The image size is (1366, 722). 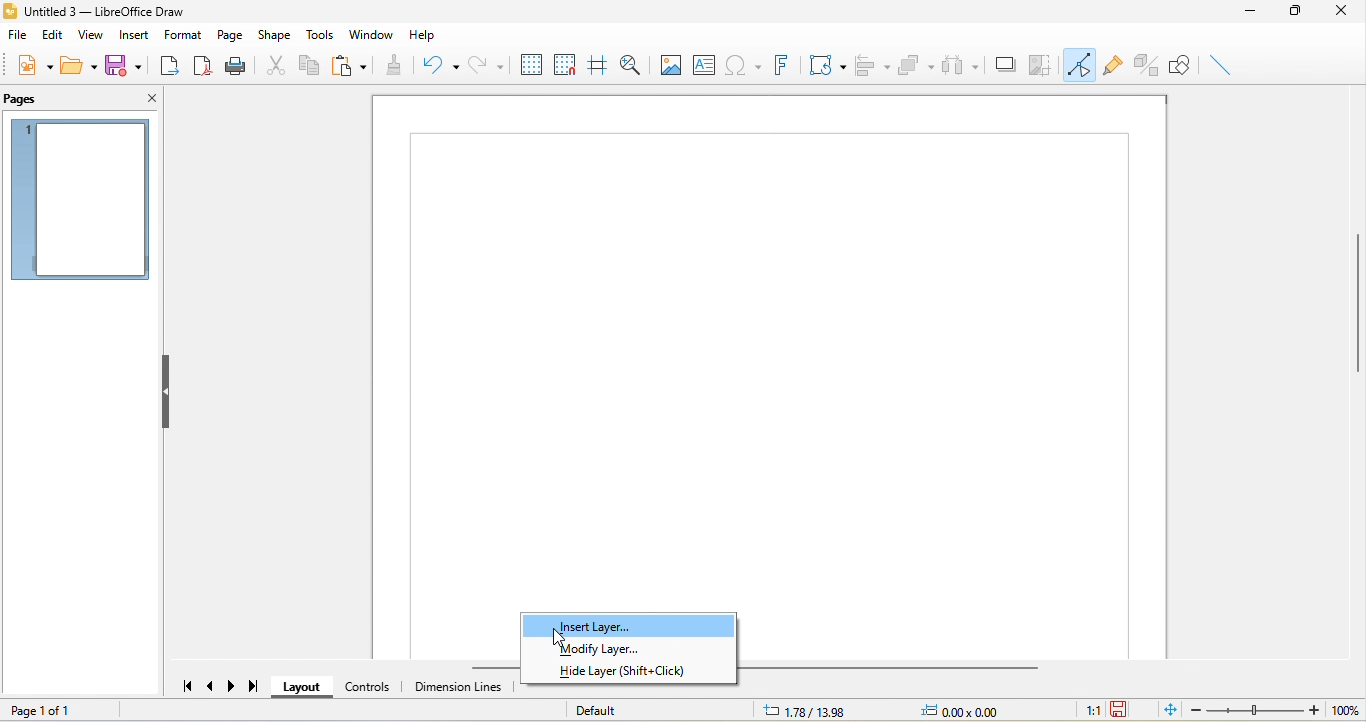 I want to click on shadow, so click(x=1004, y=65).